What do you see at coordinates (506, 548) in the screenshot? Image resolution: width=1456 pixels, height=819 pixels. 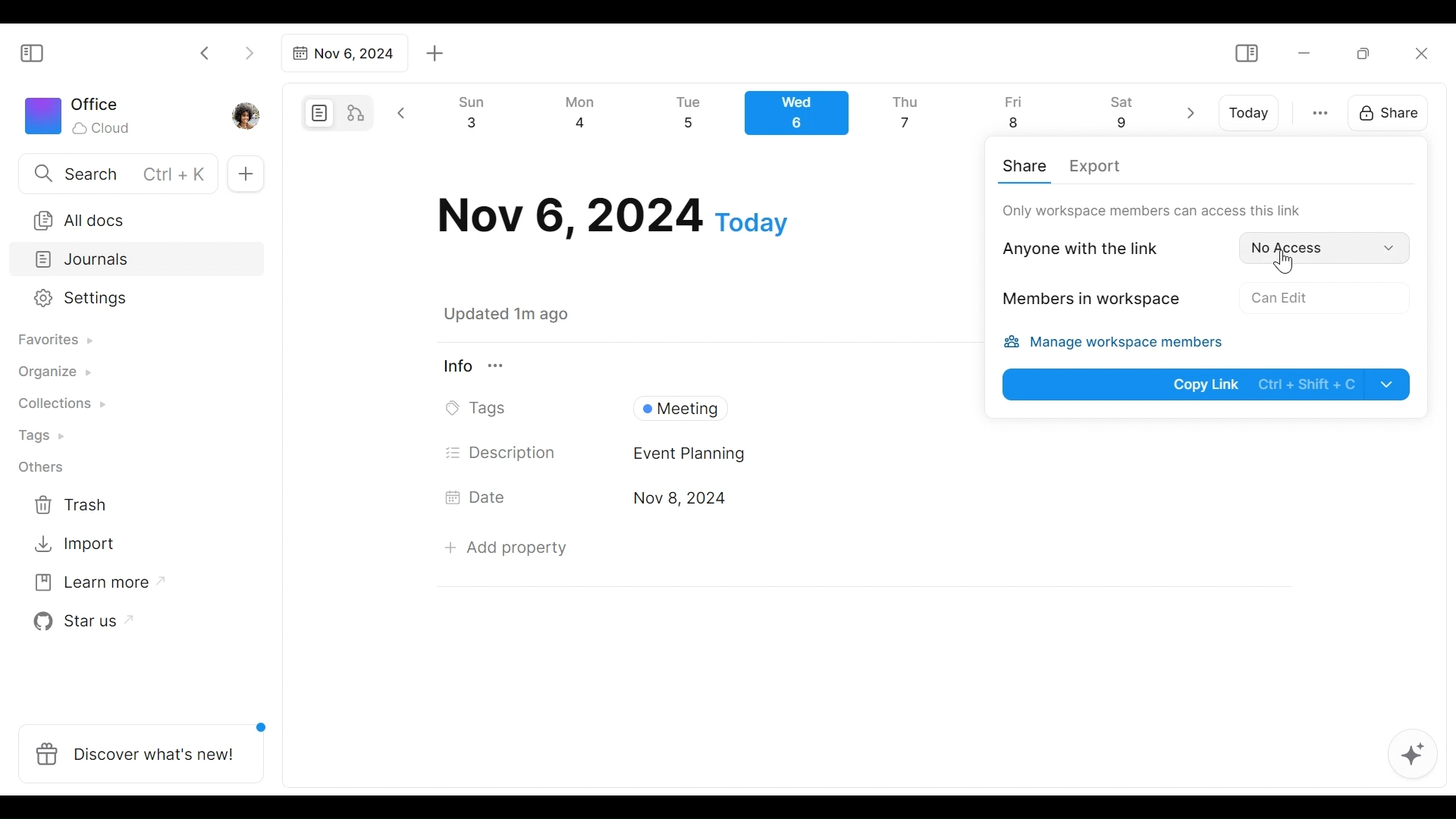 I see `Add Property` at bounding box center [506, 548].